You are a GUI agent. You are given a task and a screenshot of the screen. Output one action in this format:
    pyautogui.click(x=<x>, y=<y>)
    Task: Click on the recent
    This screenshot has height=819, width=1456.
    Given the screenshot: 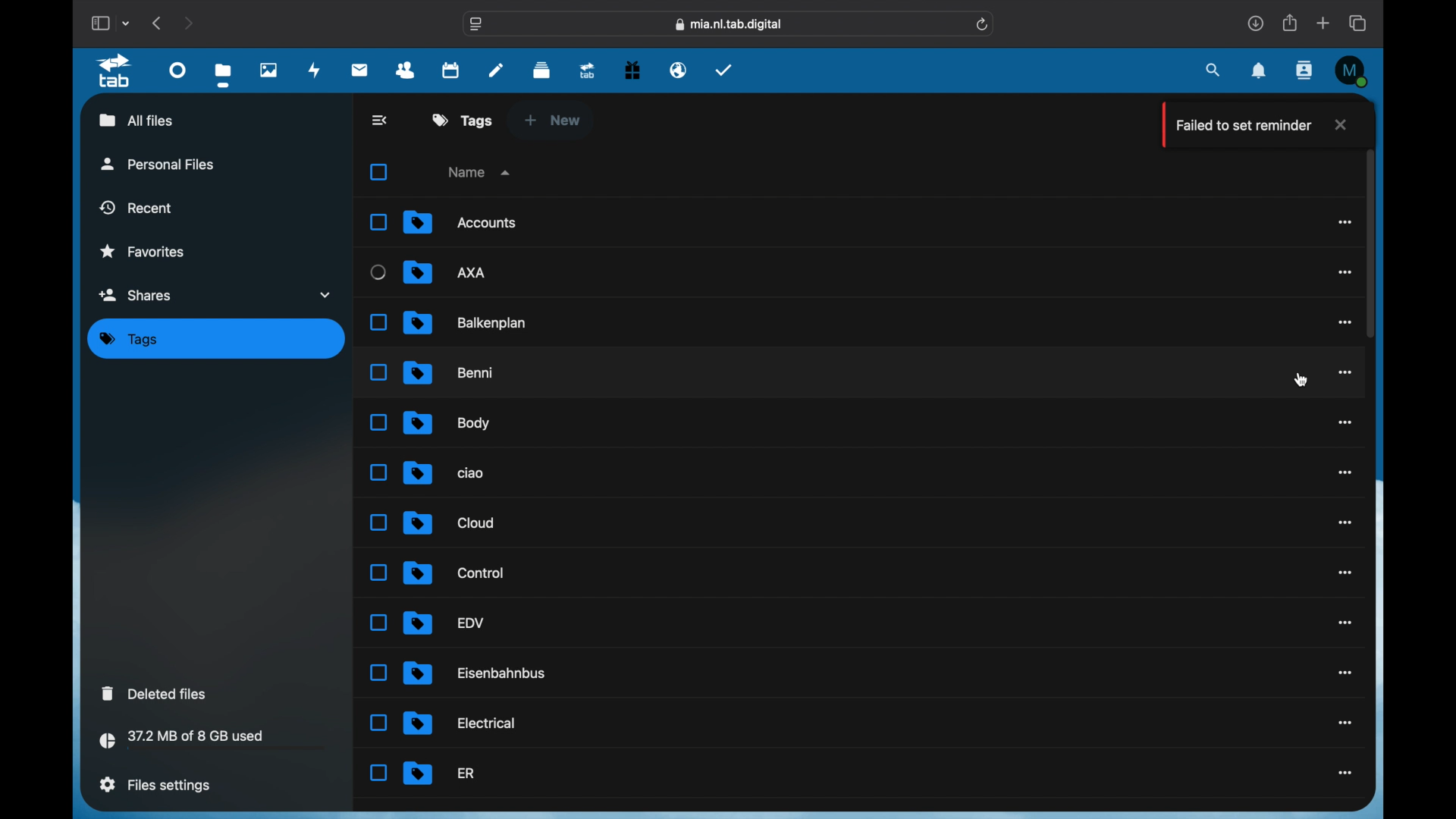 What is the action you would take?
    pyautogui.click(x=137, y=207)
    